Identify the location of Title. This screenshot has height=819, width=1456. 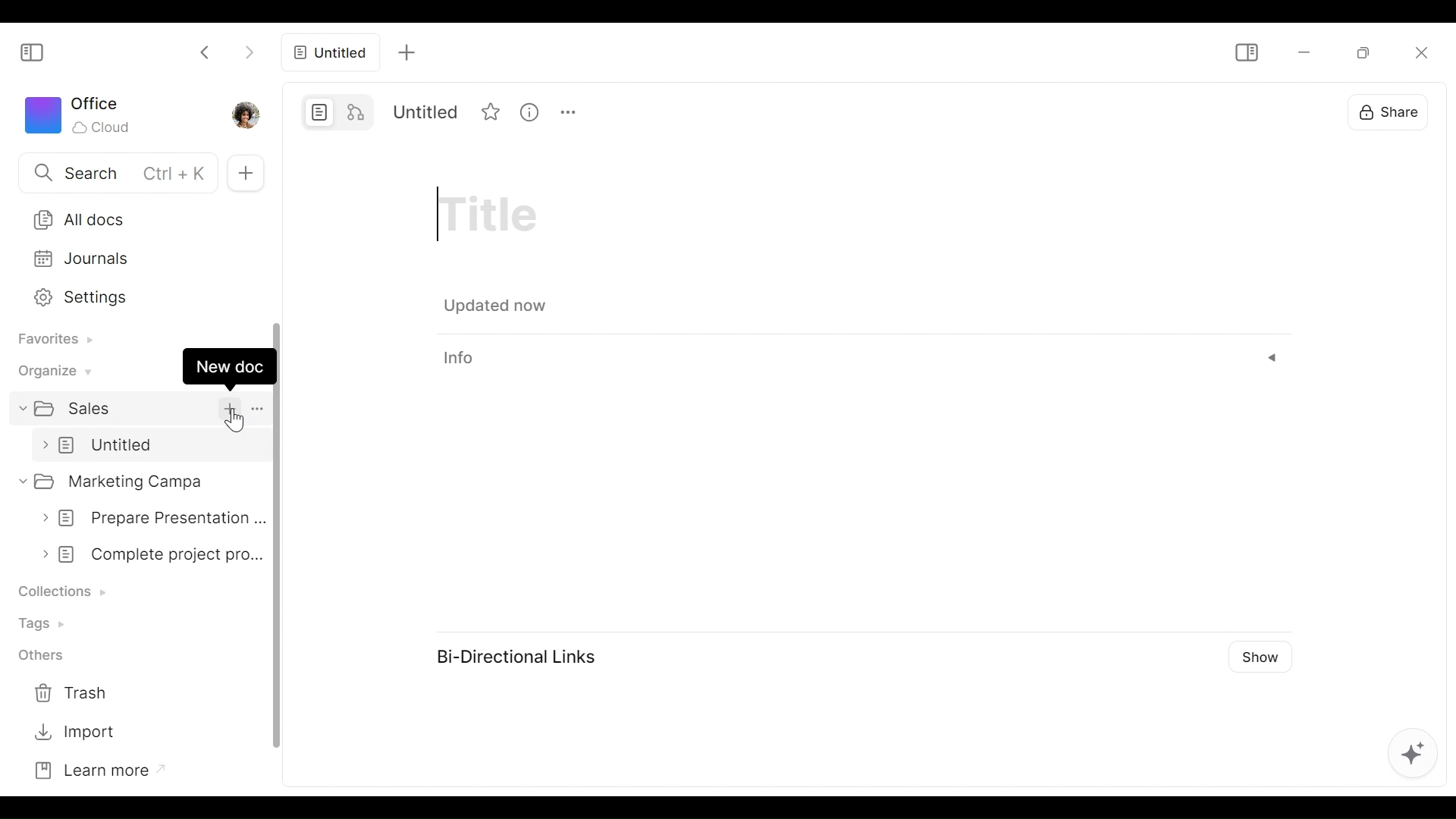
(551, 212).